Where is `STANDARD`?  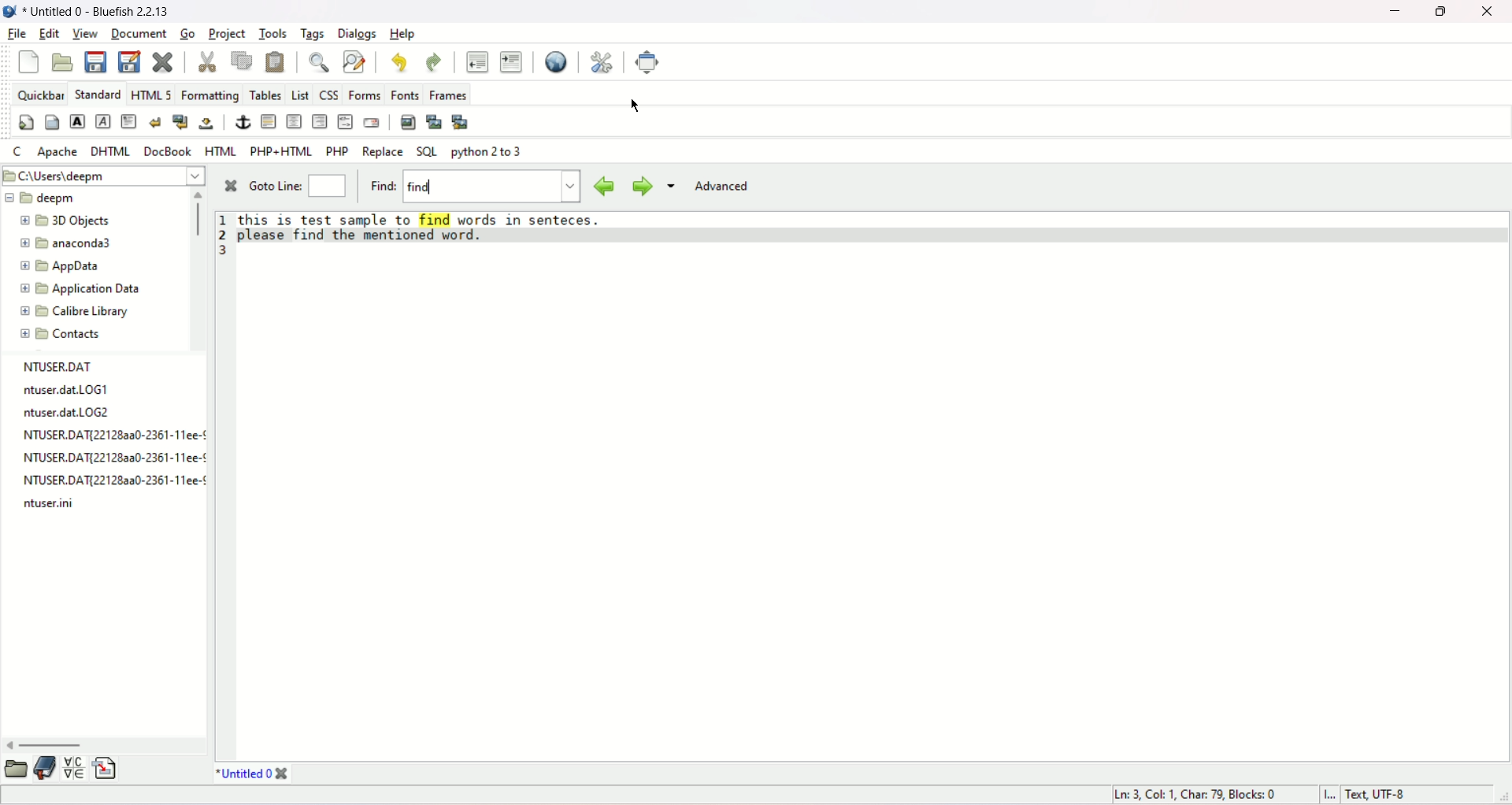
STANDARD is located at coordinates (98, 95).